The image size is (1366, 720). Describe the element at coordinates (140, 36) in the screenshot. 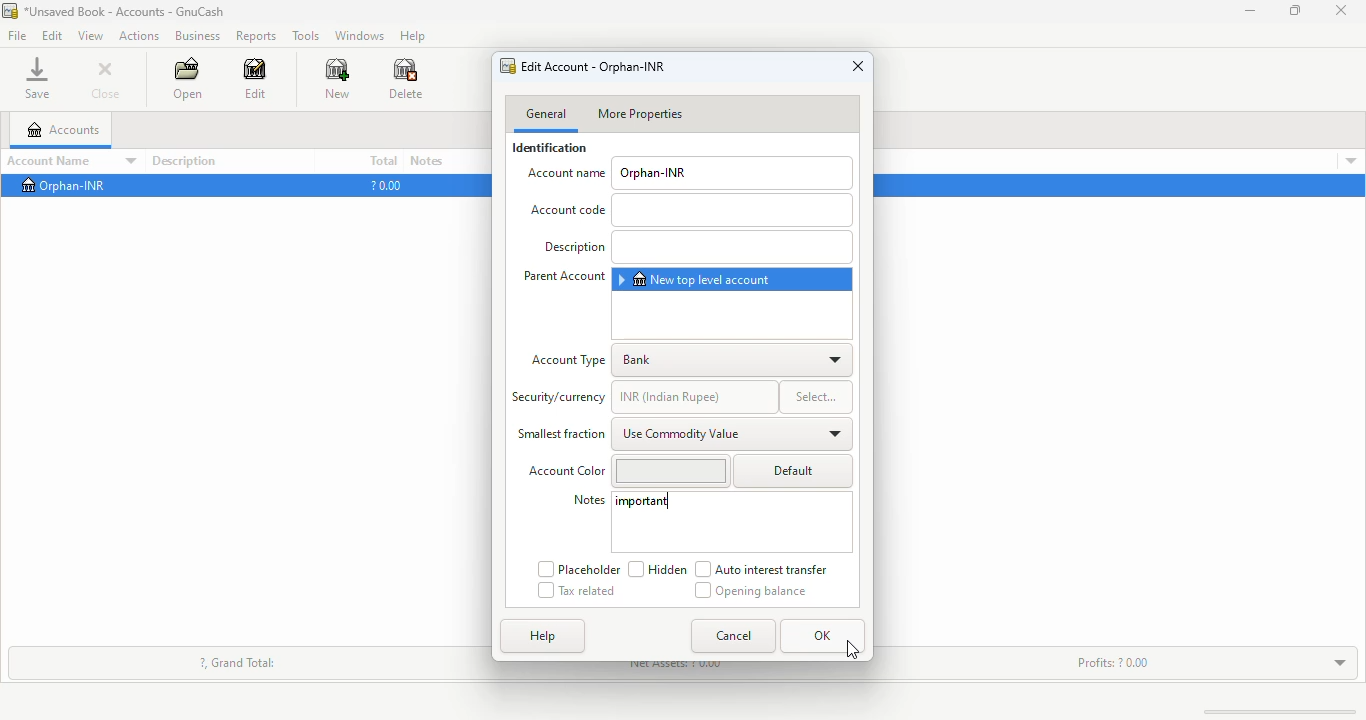

I see `actions` at that location.